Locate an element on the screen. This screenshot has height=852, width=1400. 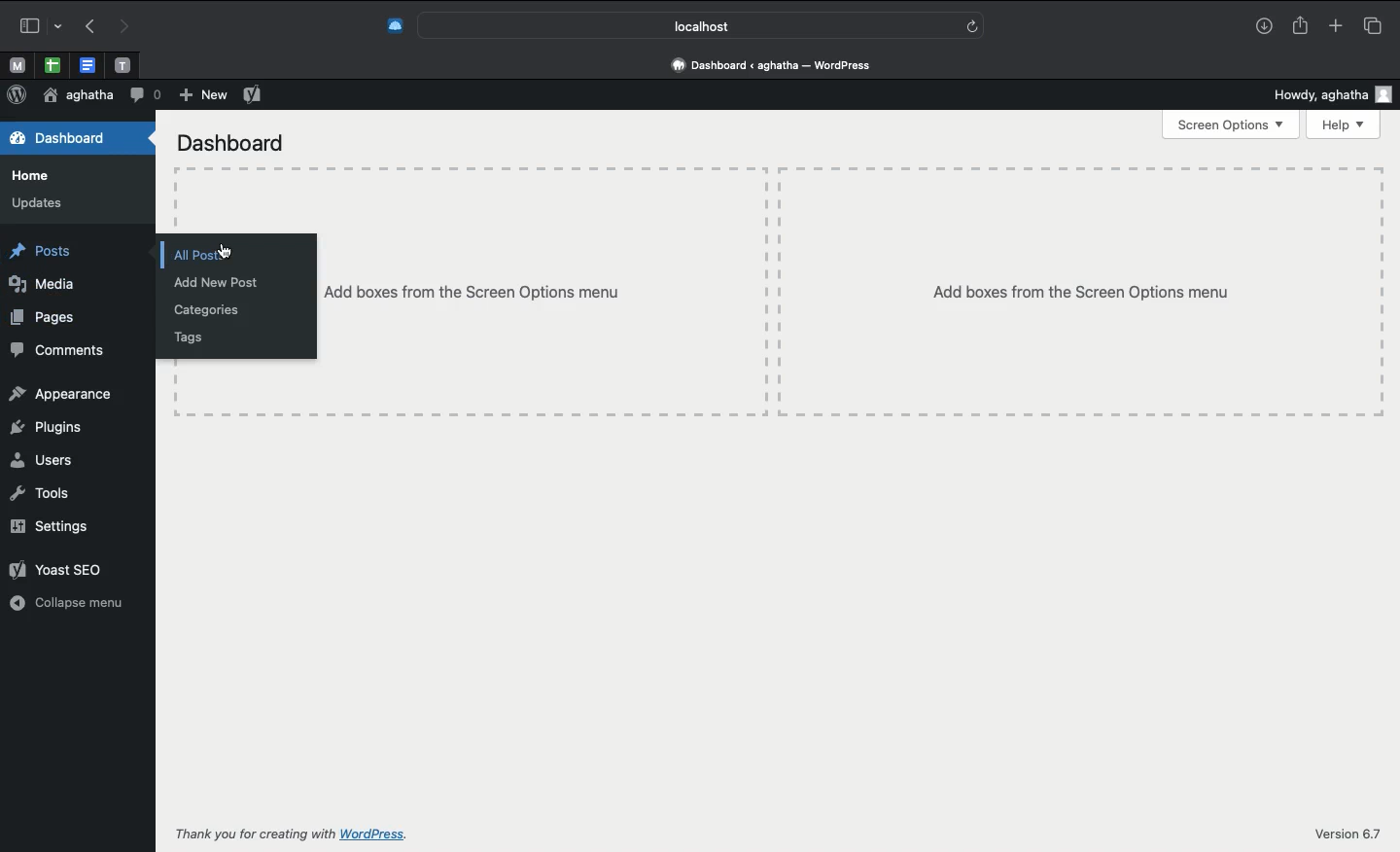
User is located at coordinates (78, 96).